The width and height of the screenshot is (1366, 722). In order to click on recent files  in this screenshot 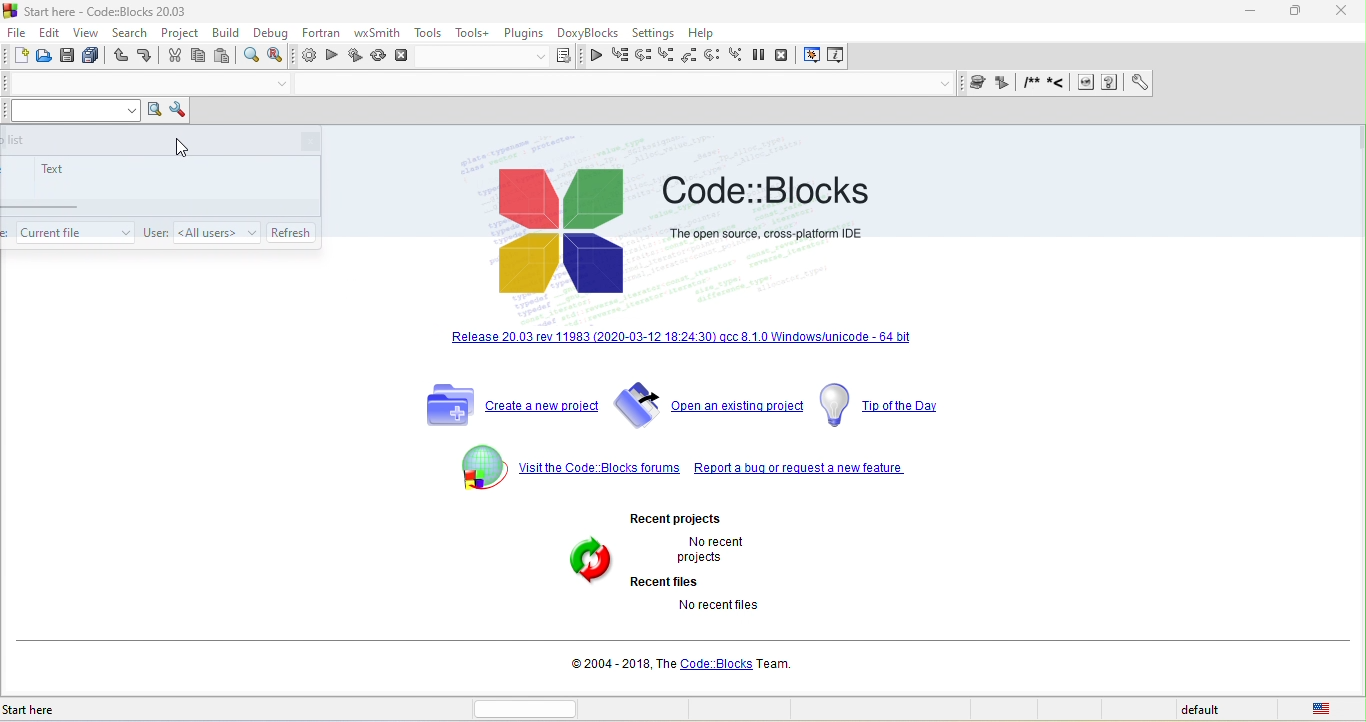, I will do `click(670, 581)`.